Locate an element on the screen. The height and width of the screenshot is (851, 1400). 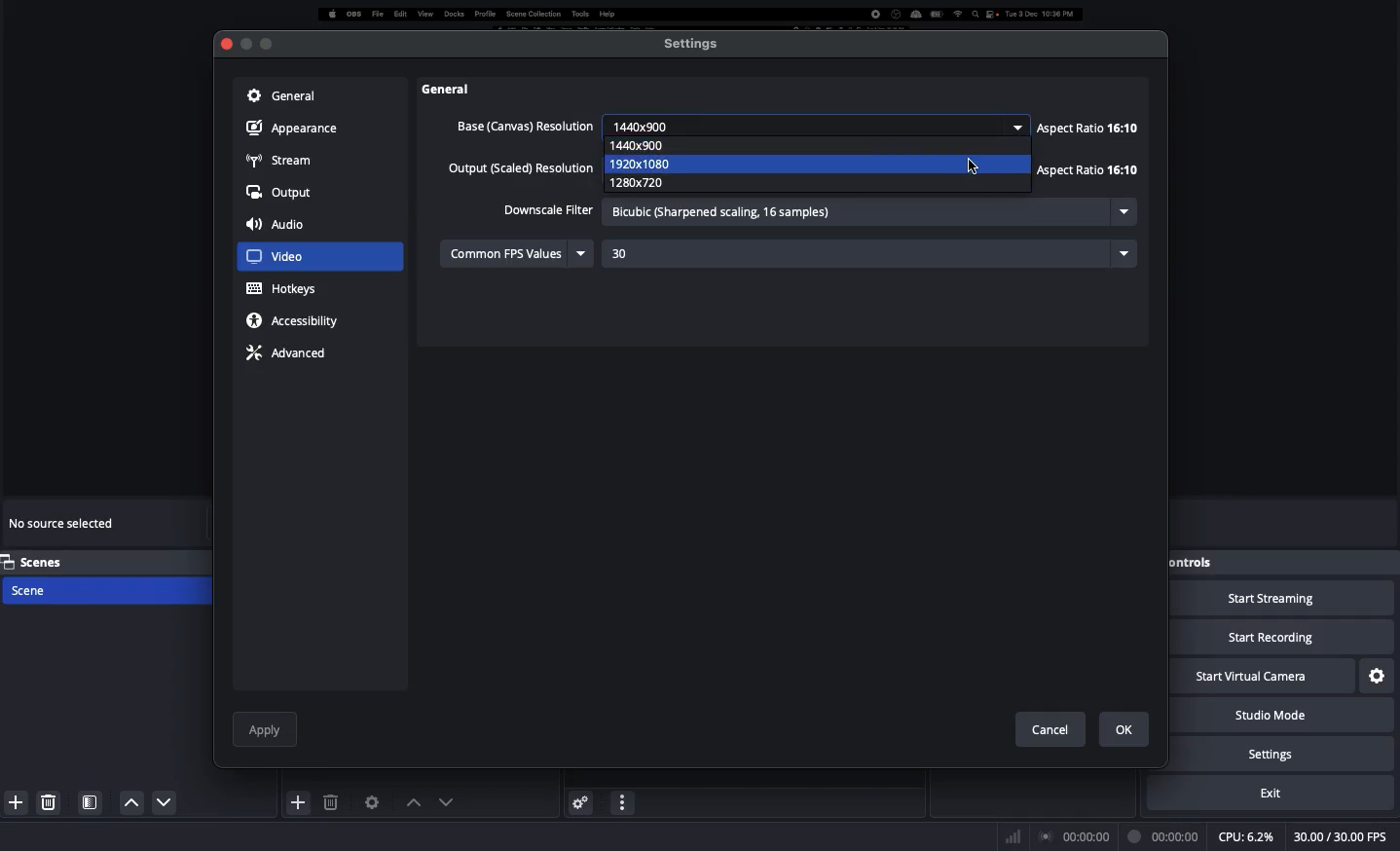
Move down is located at coordinates (444, 801).